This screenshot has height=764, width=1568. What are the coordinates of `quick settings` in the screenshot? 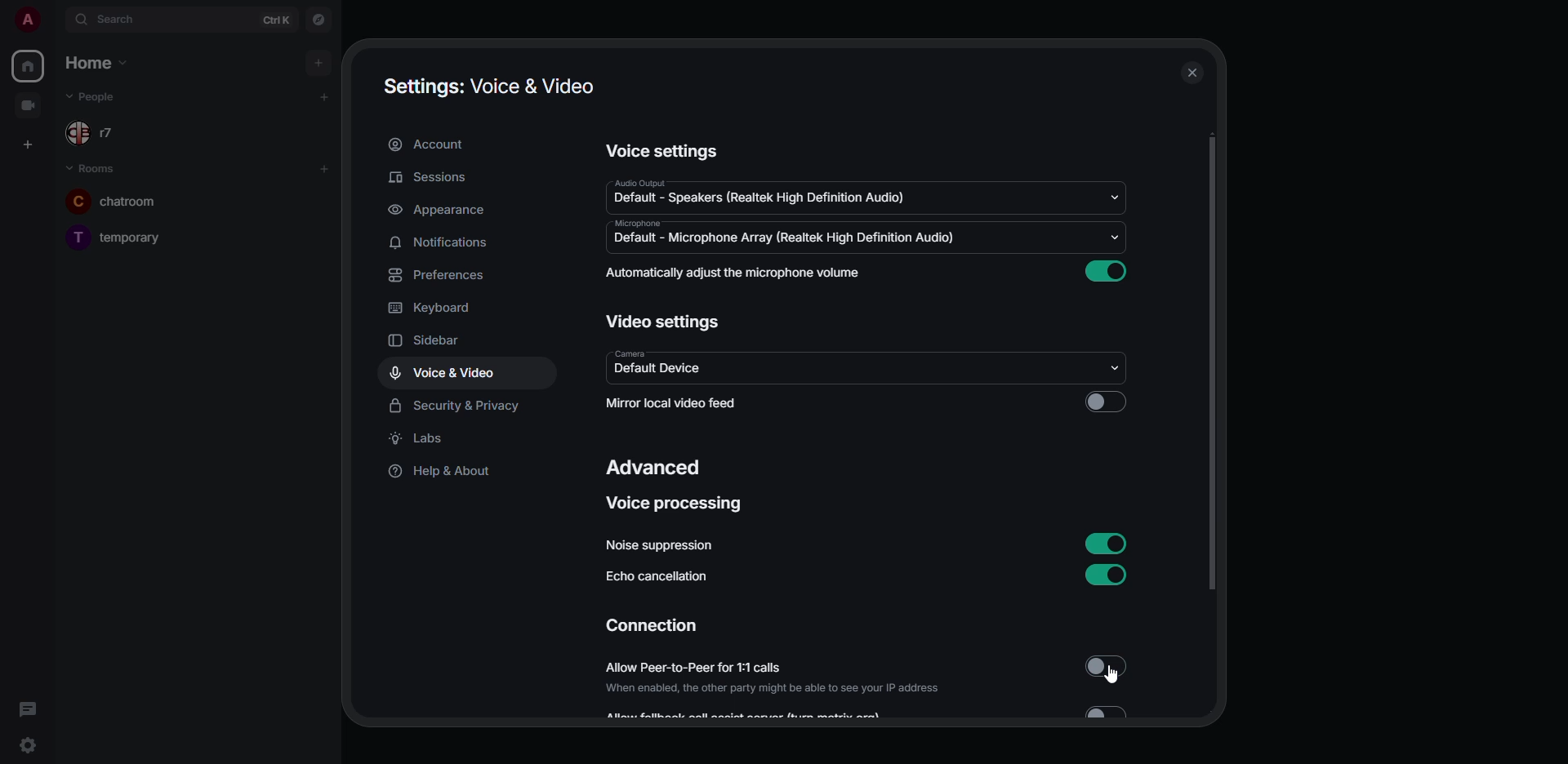 It's located at (26, 745).